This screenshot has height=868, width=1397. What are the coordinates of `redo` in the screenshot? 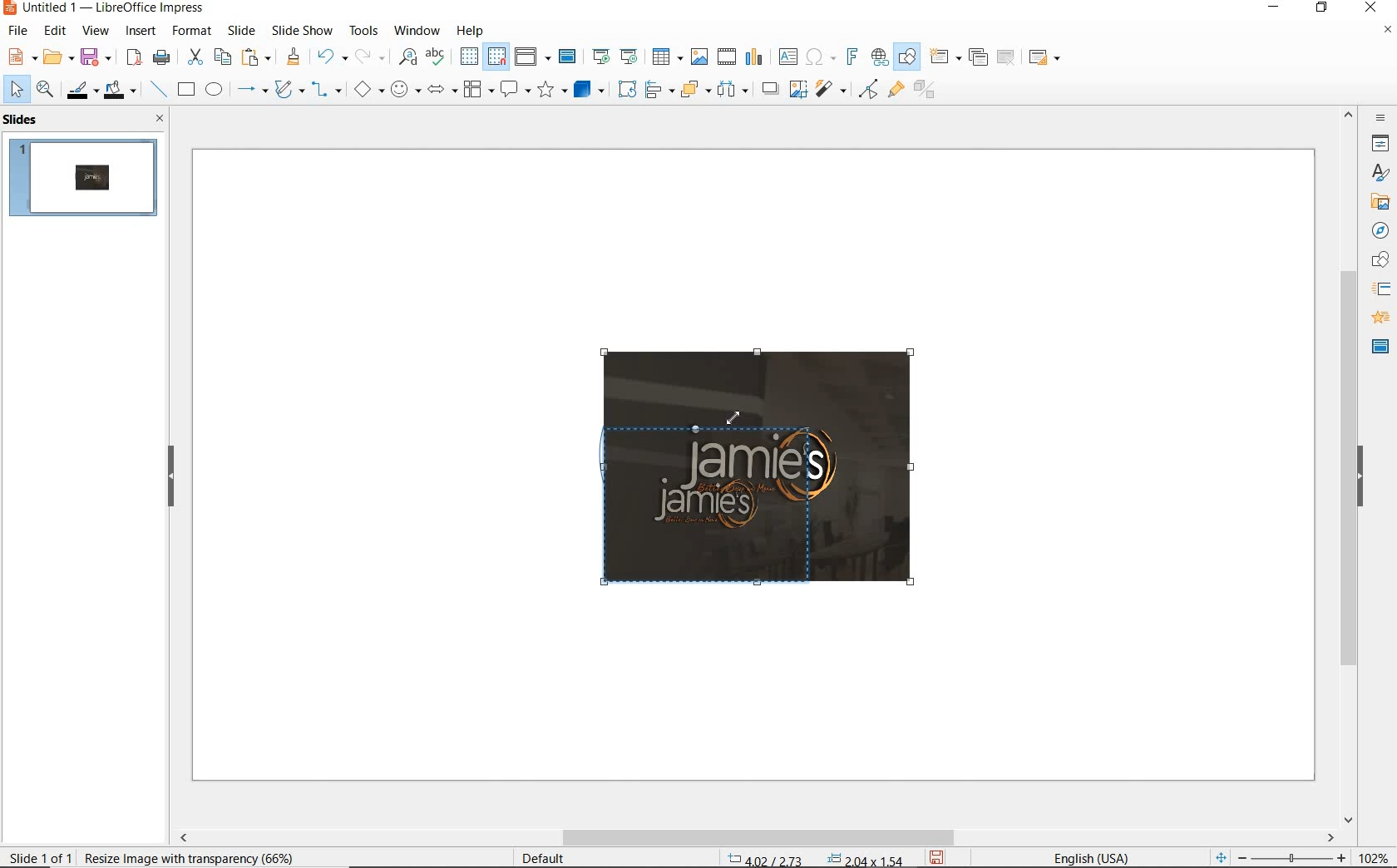 It's located at (369, 57).